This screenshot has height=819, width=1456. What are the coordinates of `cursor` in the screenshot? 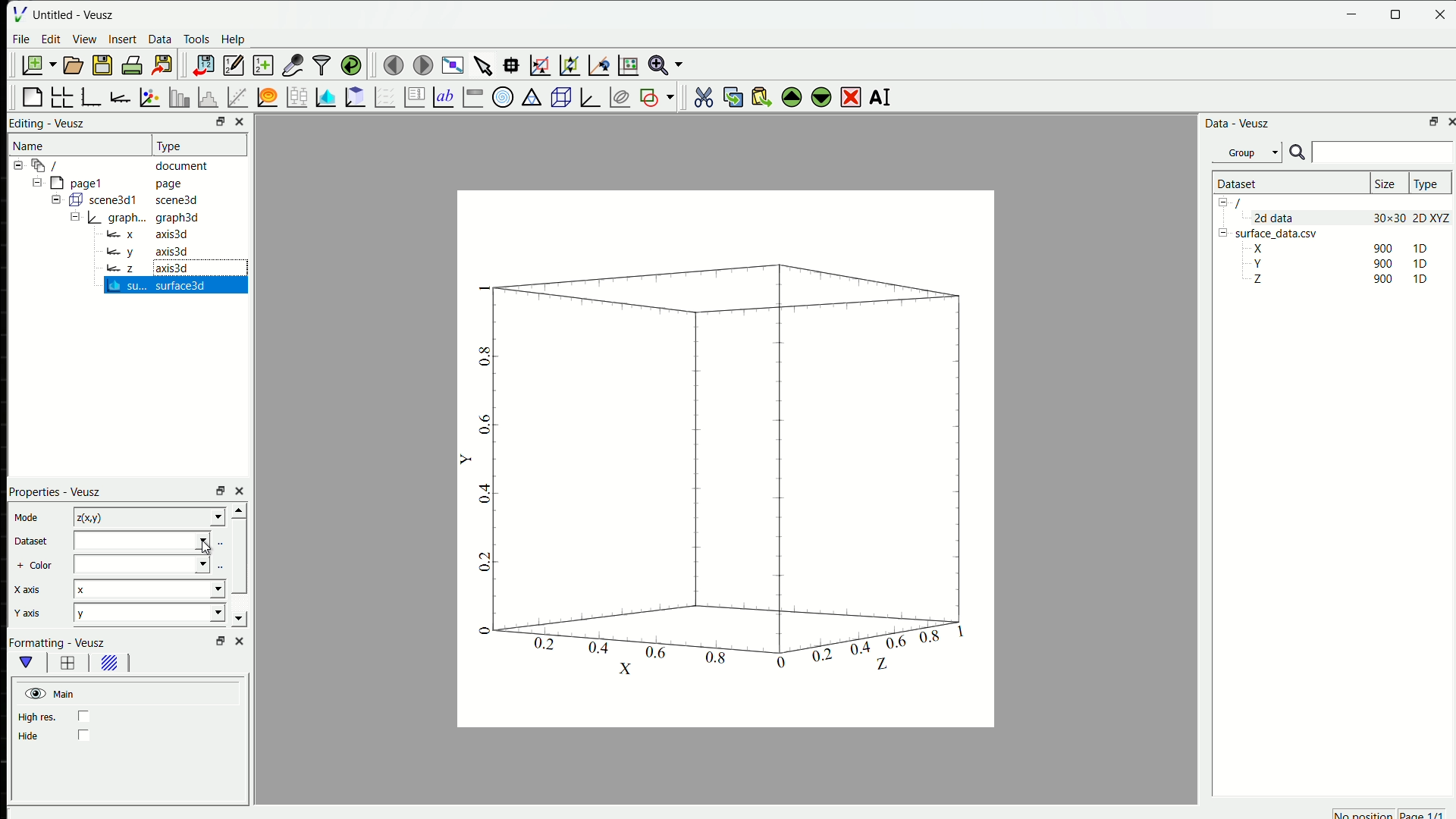 It's located at (206, 547).